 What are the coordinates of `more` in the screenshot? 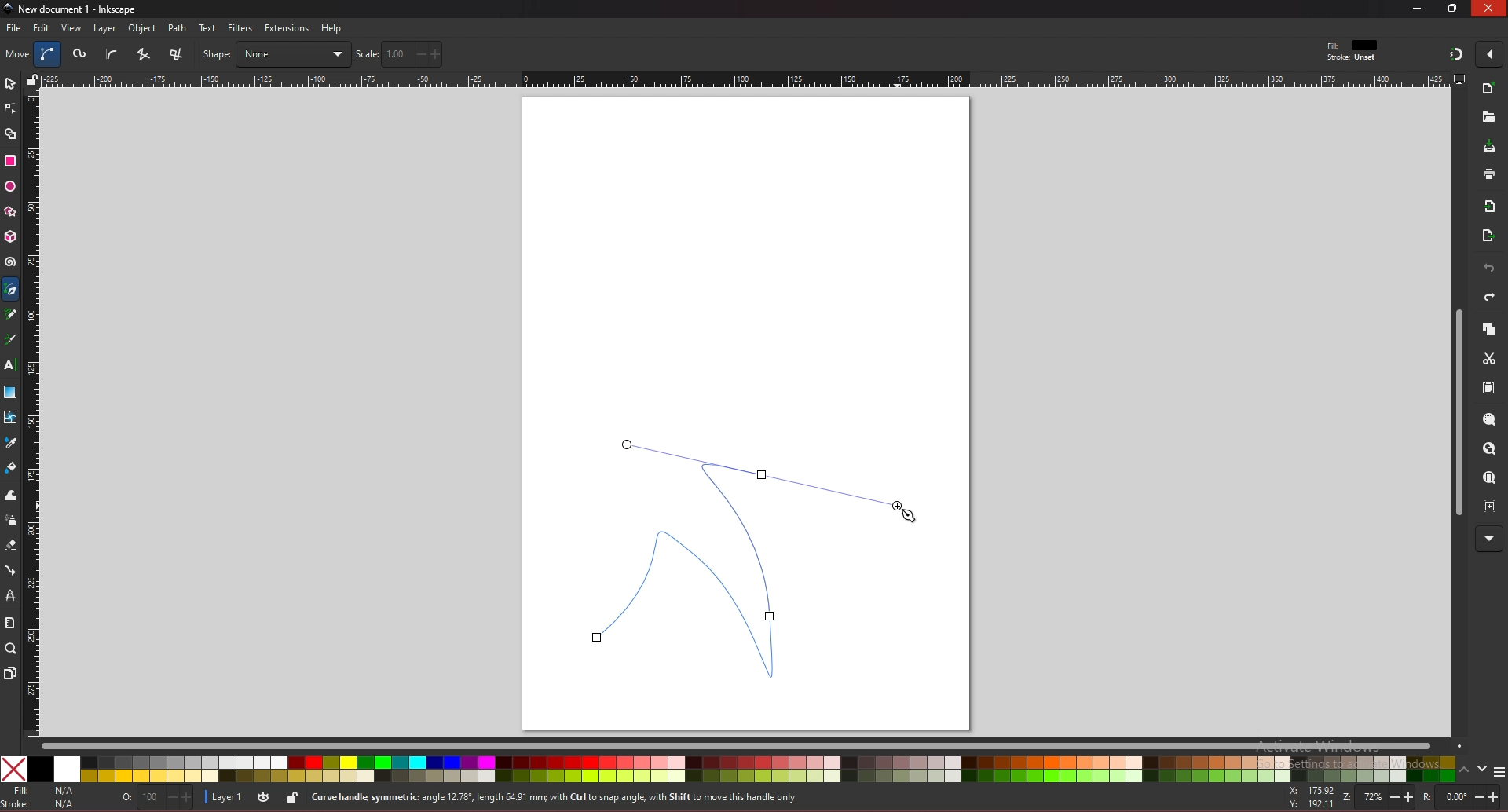 It's located at (1489, 540).